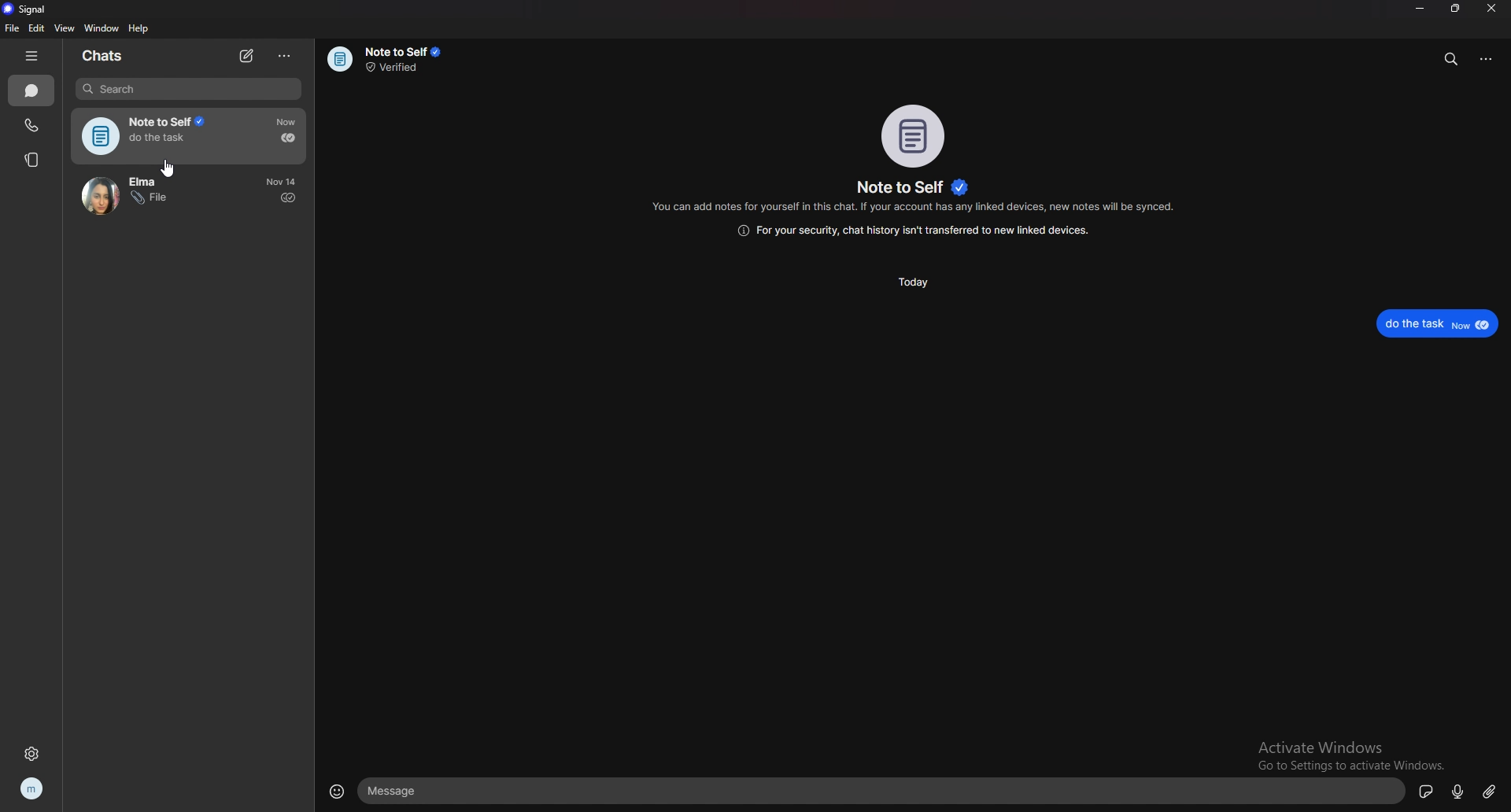  Describe the element at coordinates (191, 90) in the screenshot. I see `search` at that location.